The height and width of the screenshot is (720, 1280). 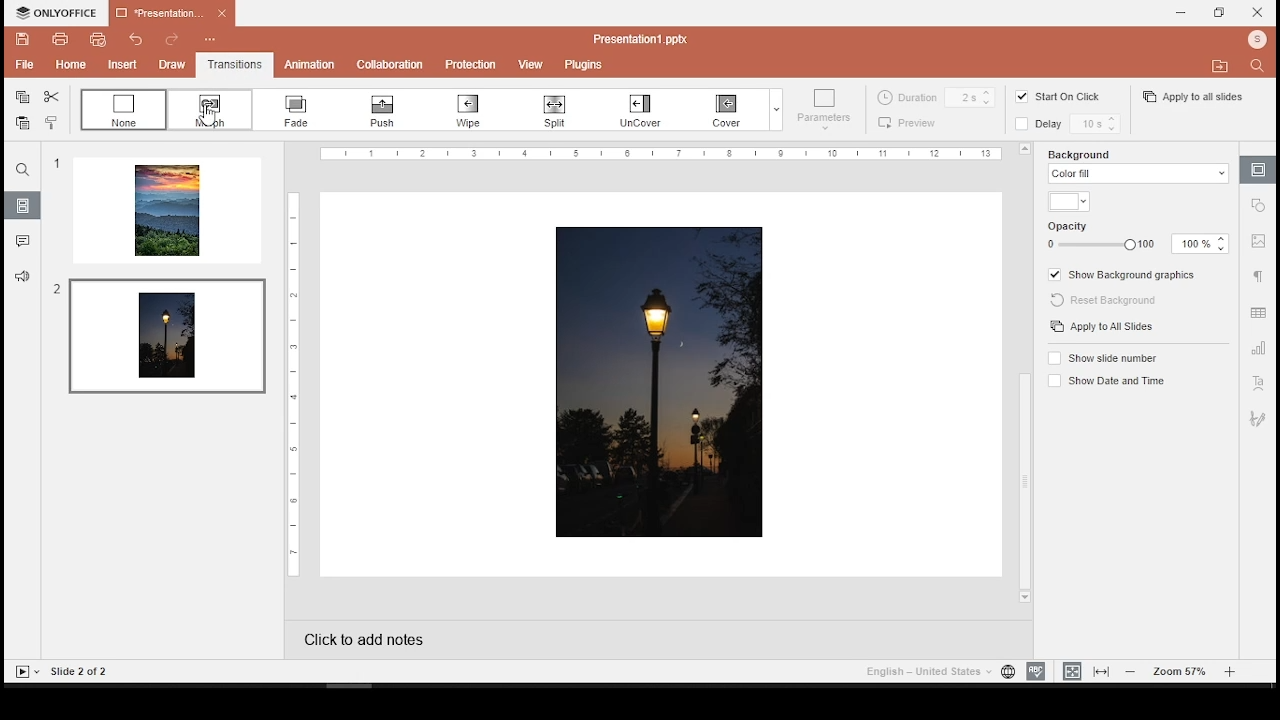 What do you see at coordinates (165, 334) in the screenshot?
I see `slide 2` at bounding box center [165, 334].